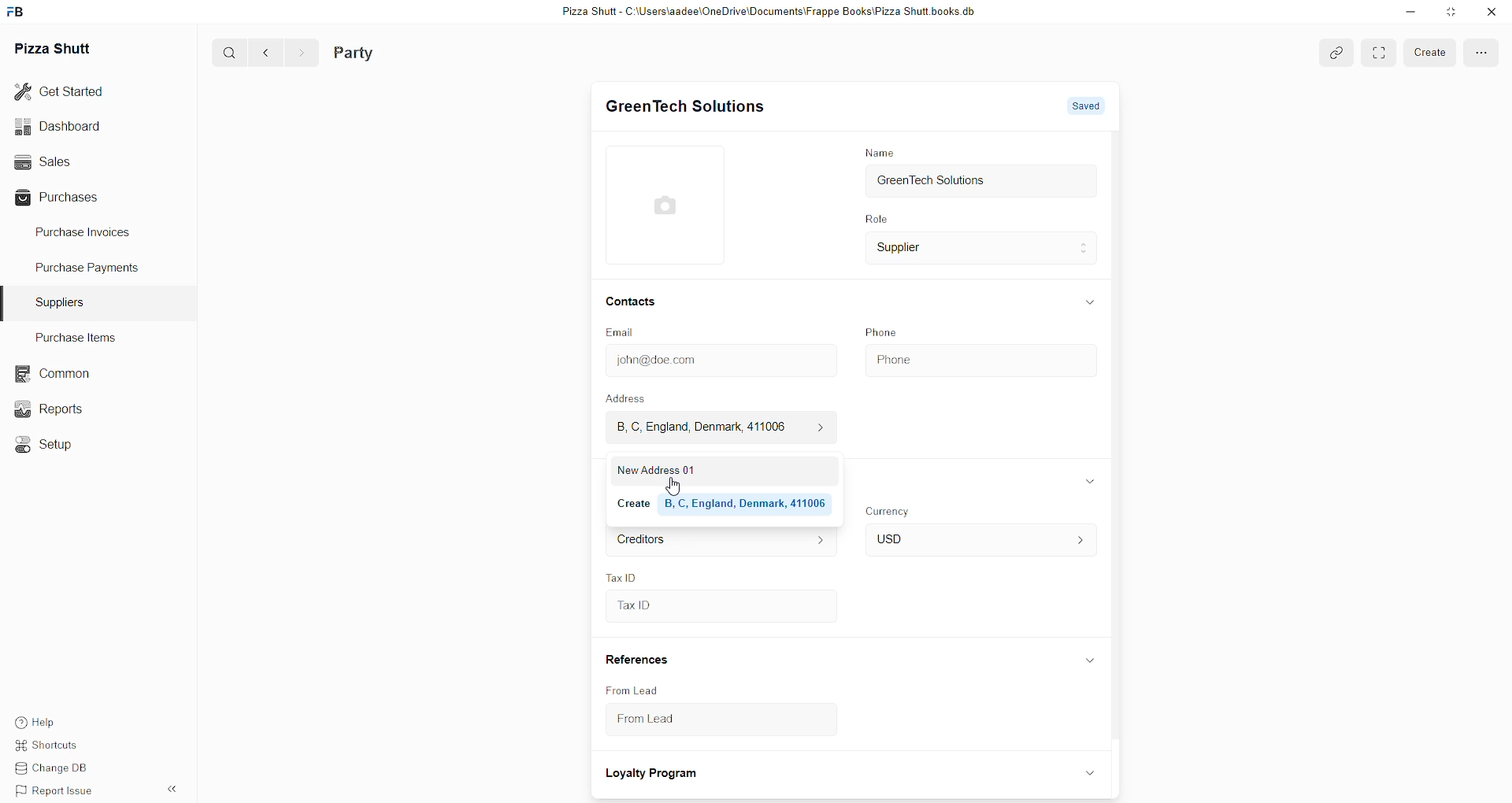 This screenshot has width=1512, height=803. What do you see at coordinates (46, 442) in the screenshot?
I see `Setup` at bounding box center [46, 442].